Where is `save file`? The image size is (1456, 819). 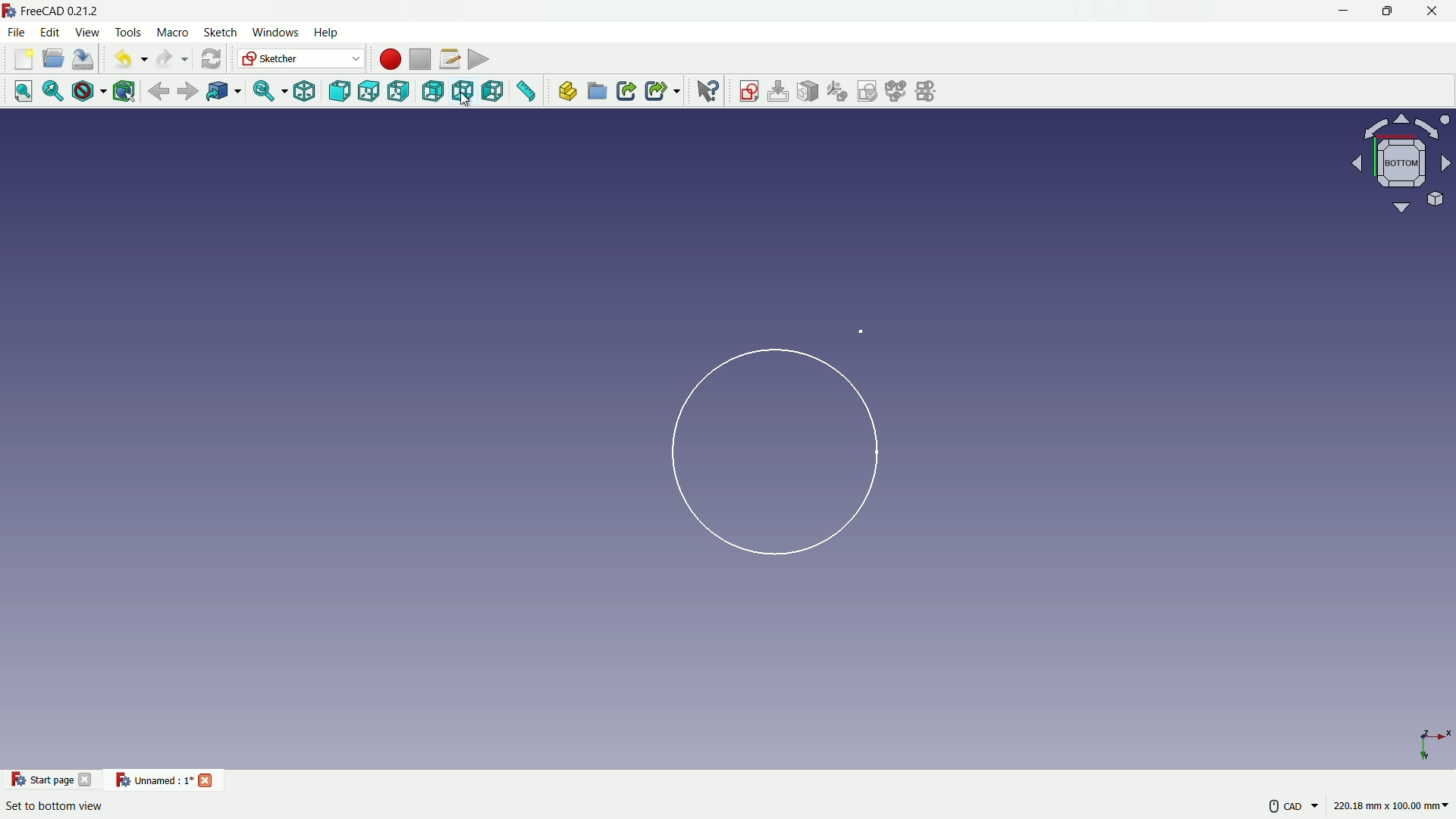
save file is located at coordinates (85, 58).